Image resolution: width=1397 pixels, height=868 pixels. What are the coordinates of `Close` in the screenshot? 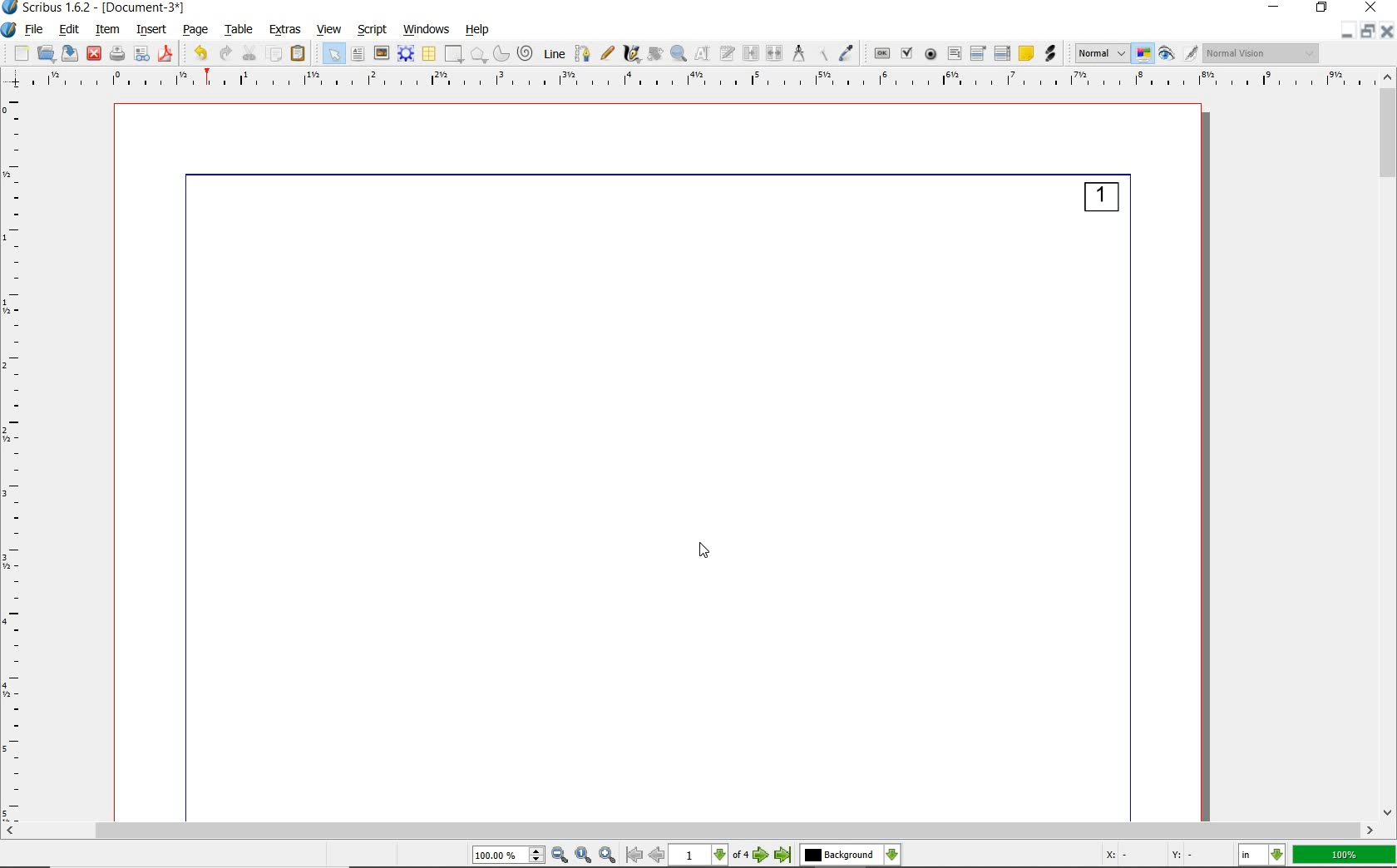 It's located at (1389, 33).